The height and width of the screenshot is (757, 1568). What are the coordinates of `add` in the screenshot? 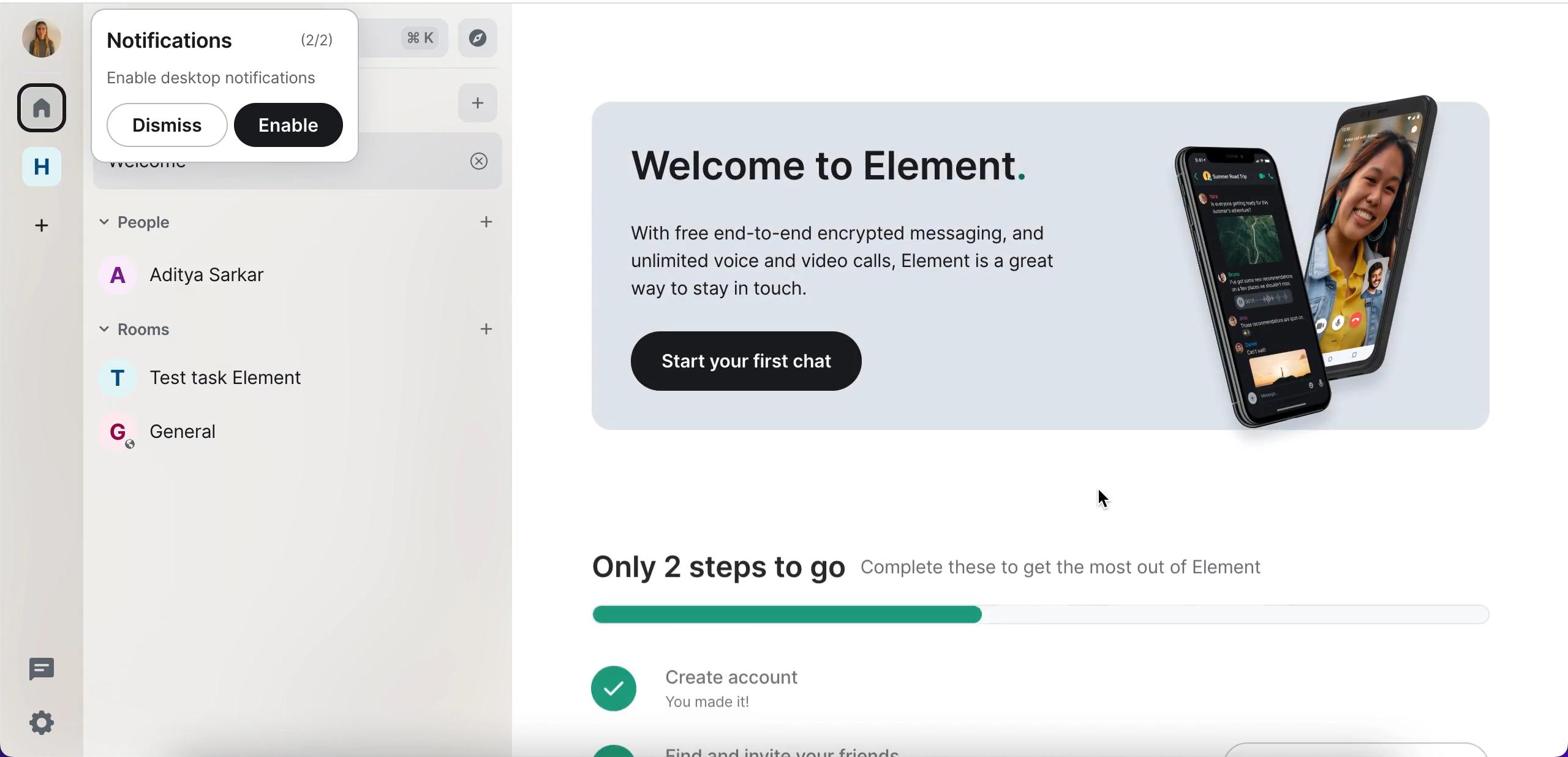 It's located at (480, 104).